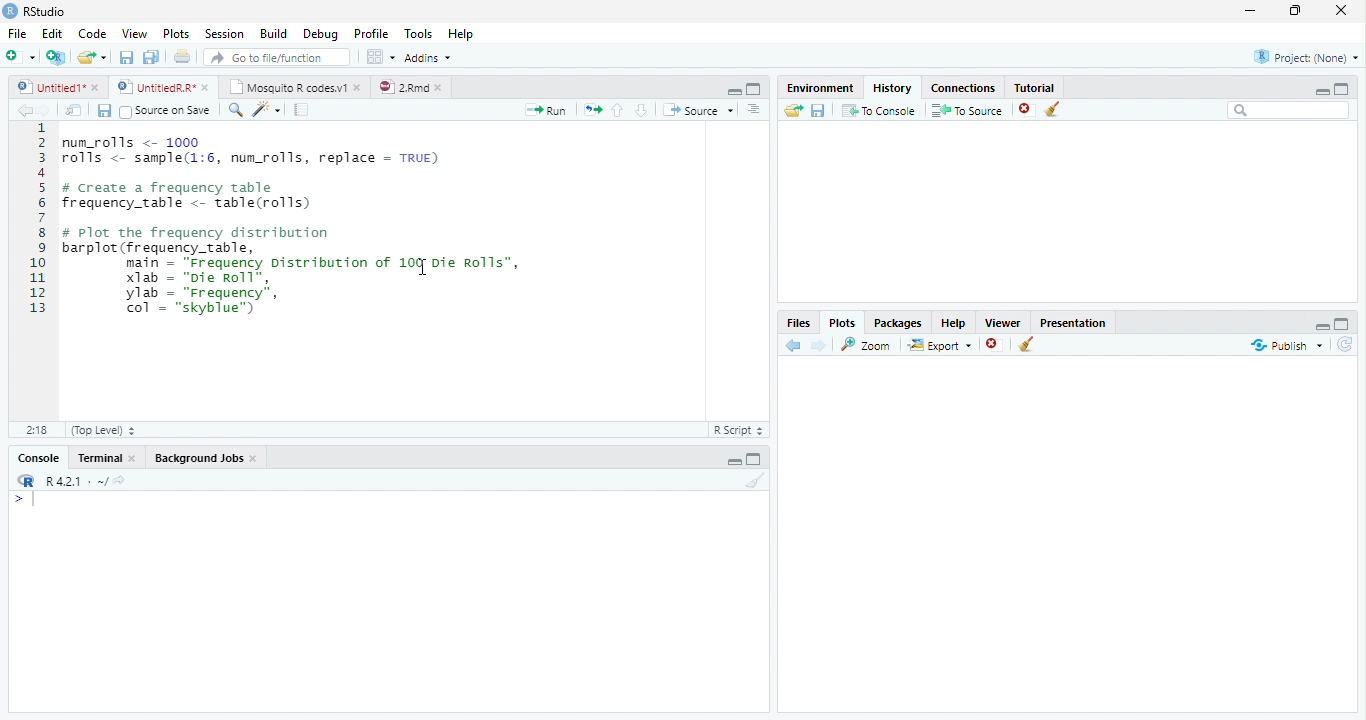  What do you see at coordinates (1322, 327) in the screenshot?
I see `Hide` at bounding box center [1322, 327].